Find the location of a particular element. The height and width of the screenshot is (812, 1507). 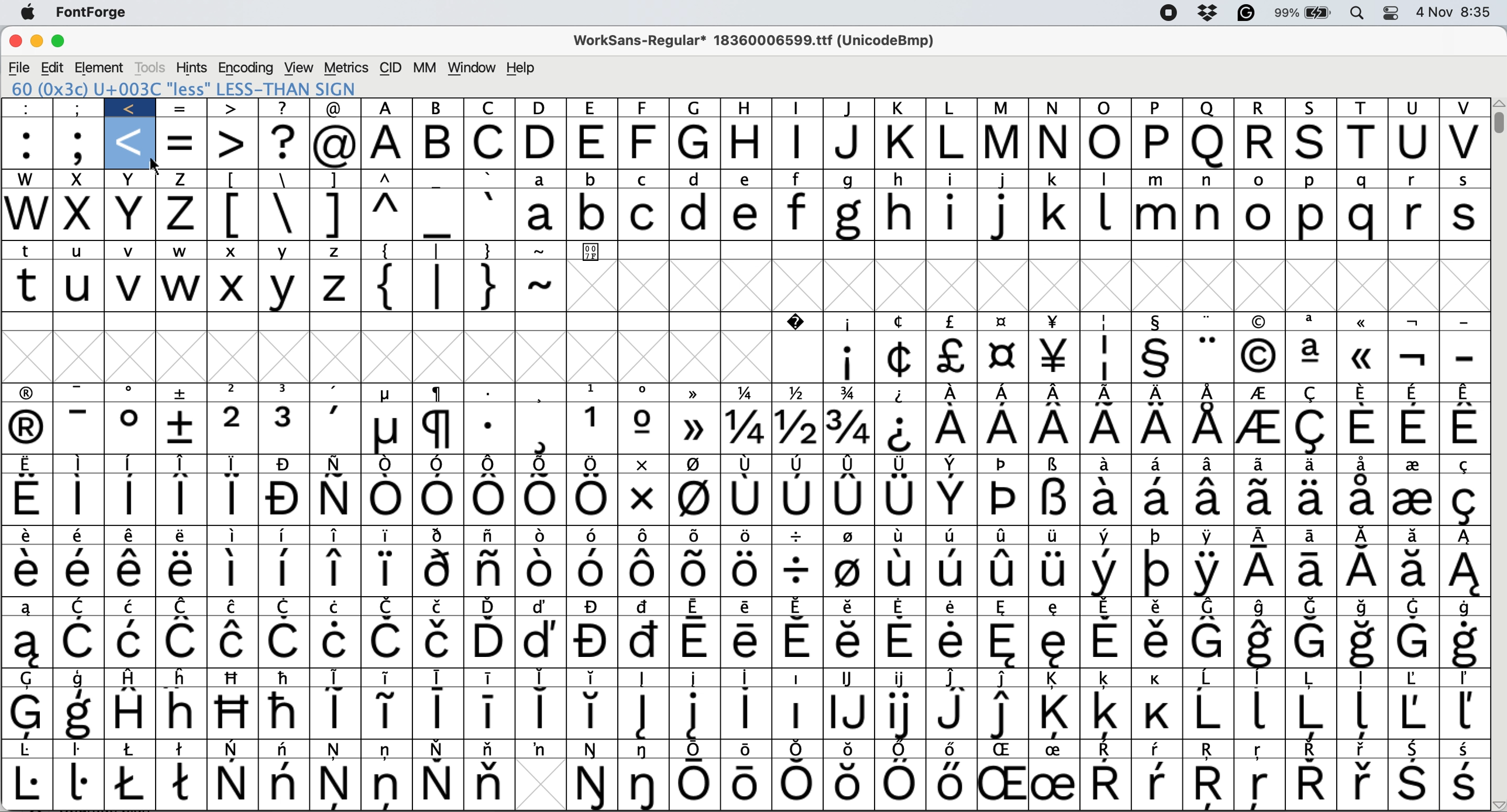

Symbol is located at coordinates (131, 572).